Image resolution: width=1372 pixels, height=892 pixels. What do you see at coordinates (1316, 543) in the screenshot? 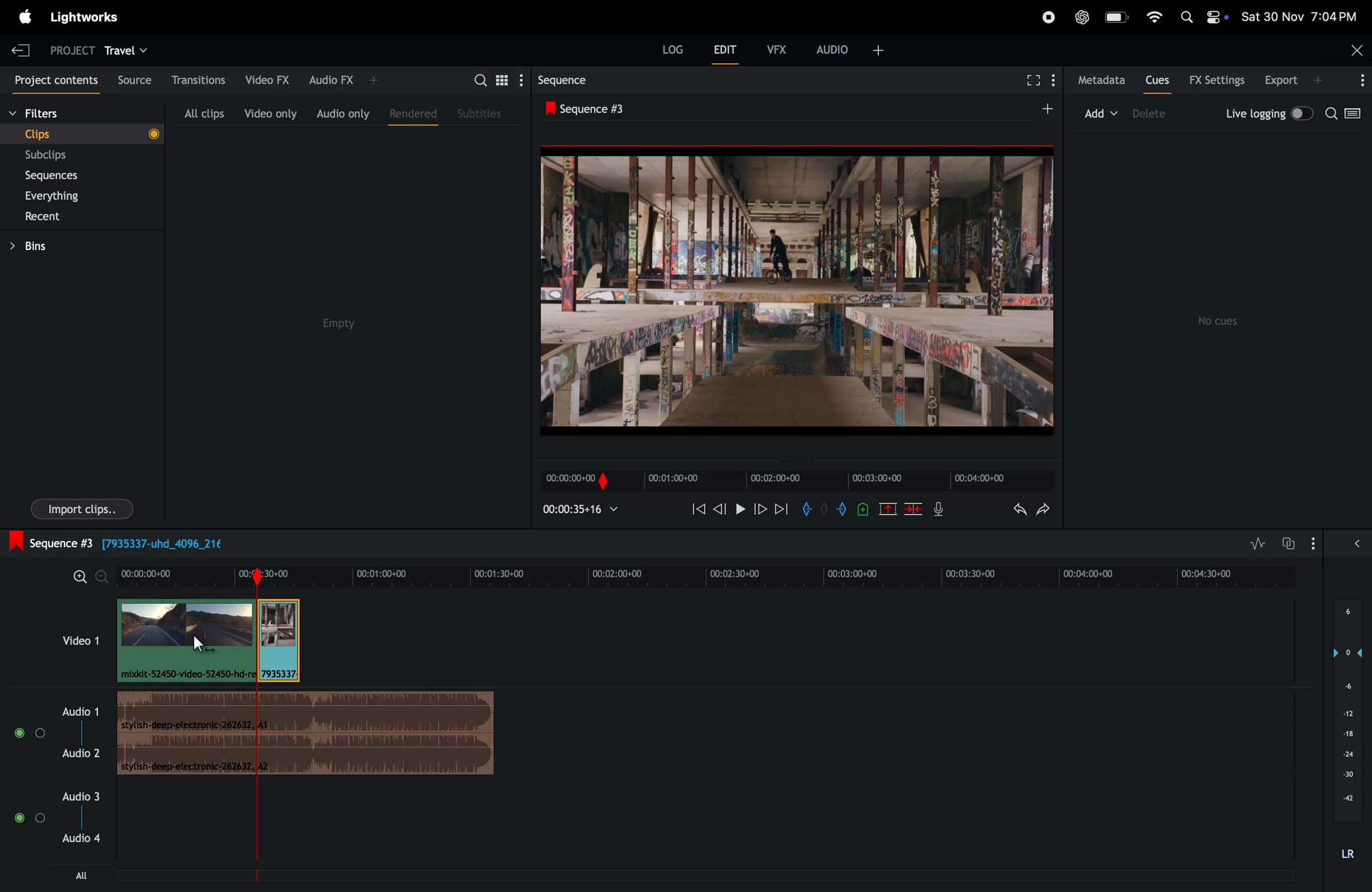
I see `options` at bounding box center [1316, 543].